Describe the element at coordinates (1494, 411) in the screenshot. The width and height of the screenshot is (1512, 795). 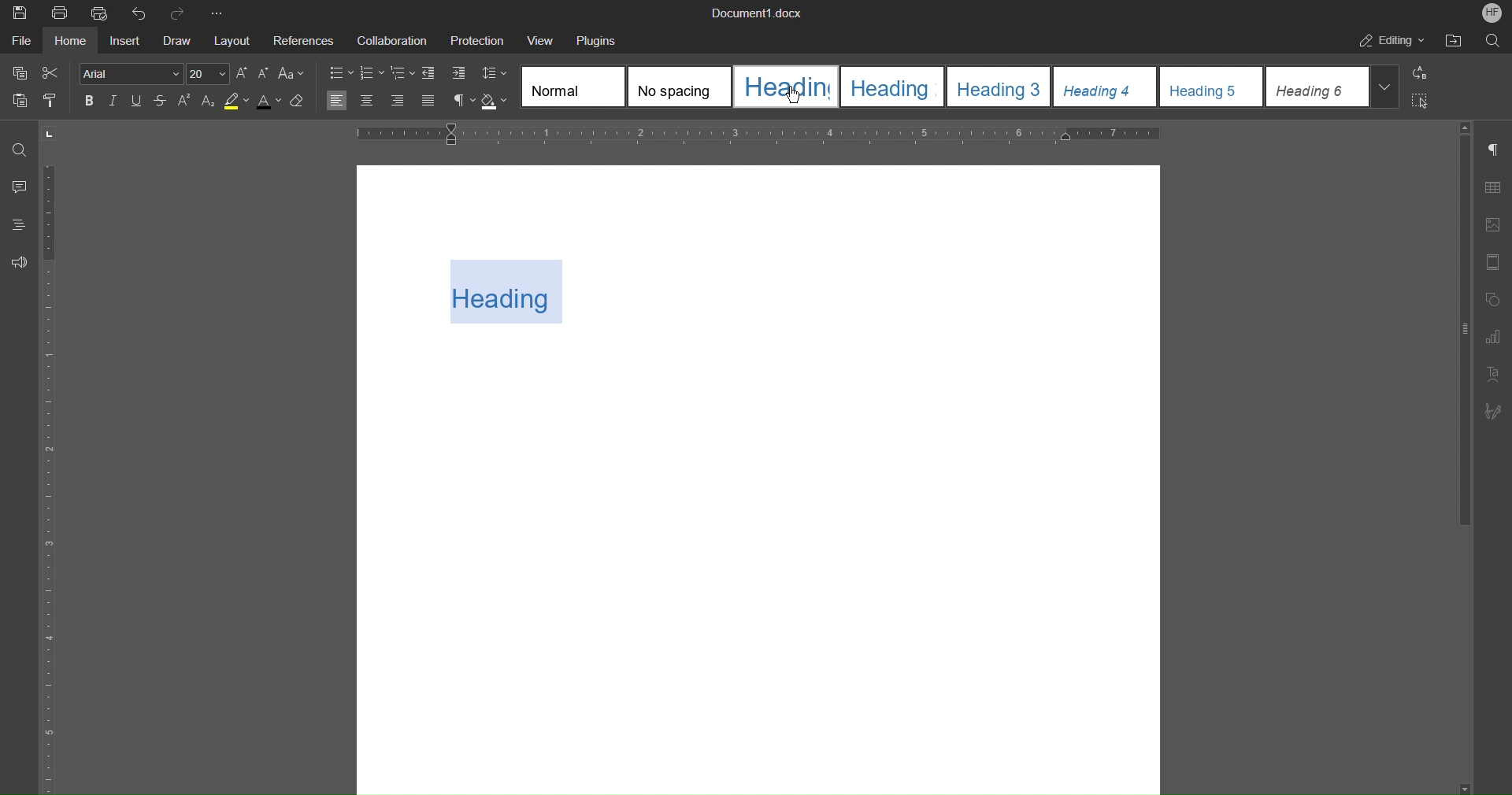
I see `Signature` at that location.